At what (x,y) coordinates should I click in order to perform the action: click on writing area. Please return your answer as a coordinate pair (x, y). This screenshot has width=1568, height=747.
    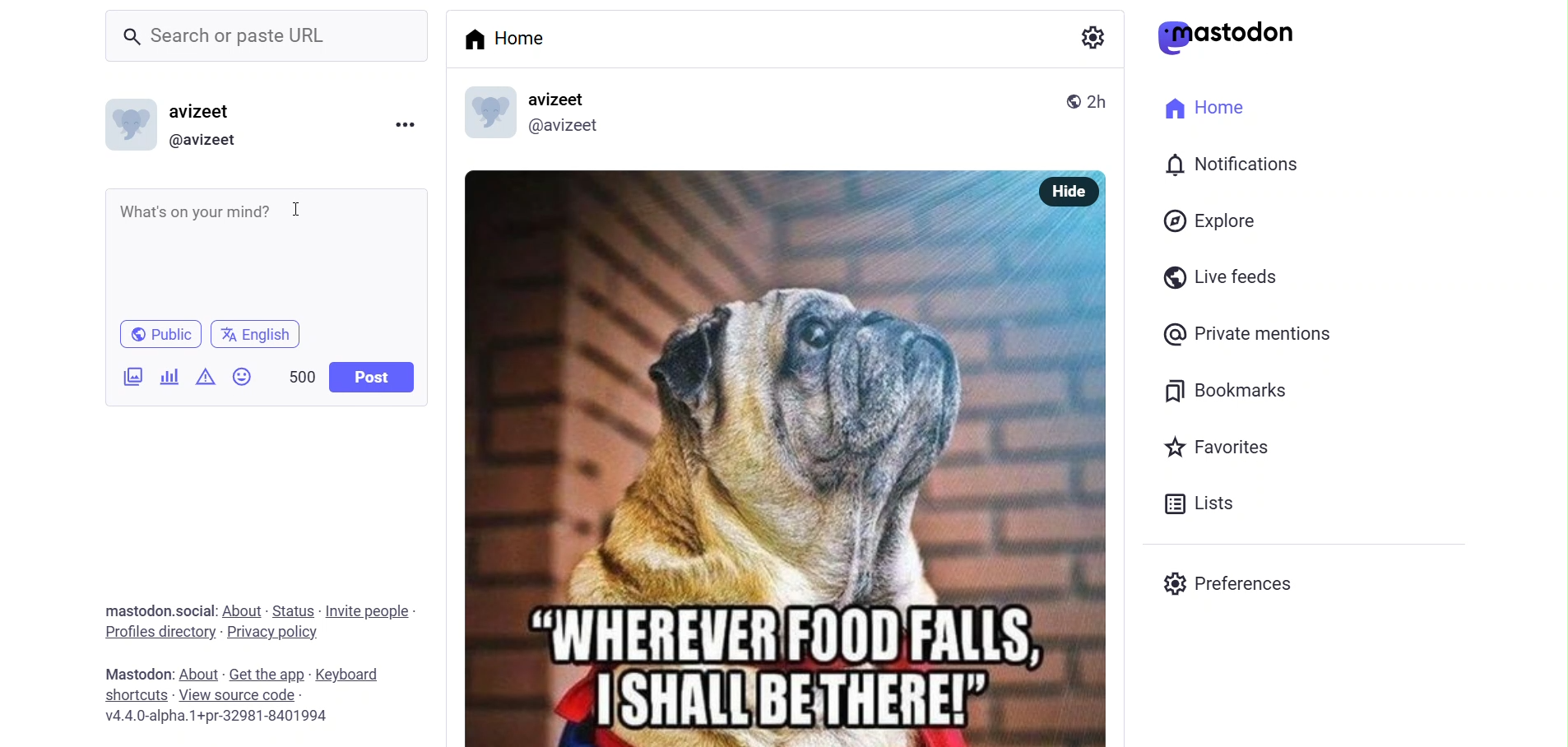
    Looking at the image, I should click on (263, 250).